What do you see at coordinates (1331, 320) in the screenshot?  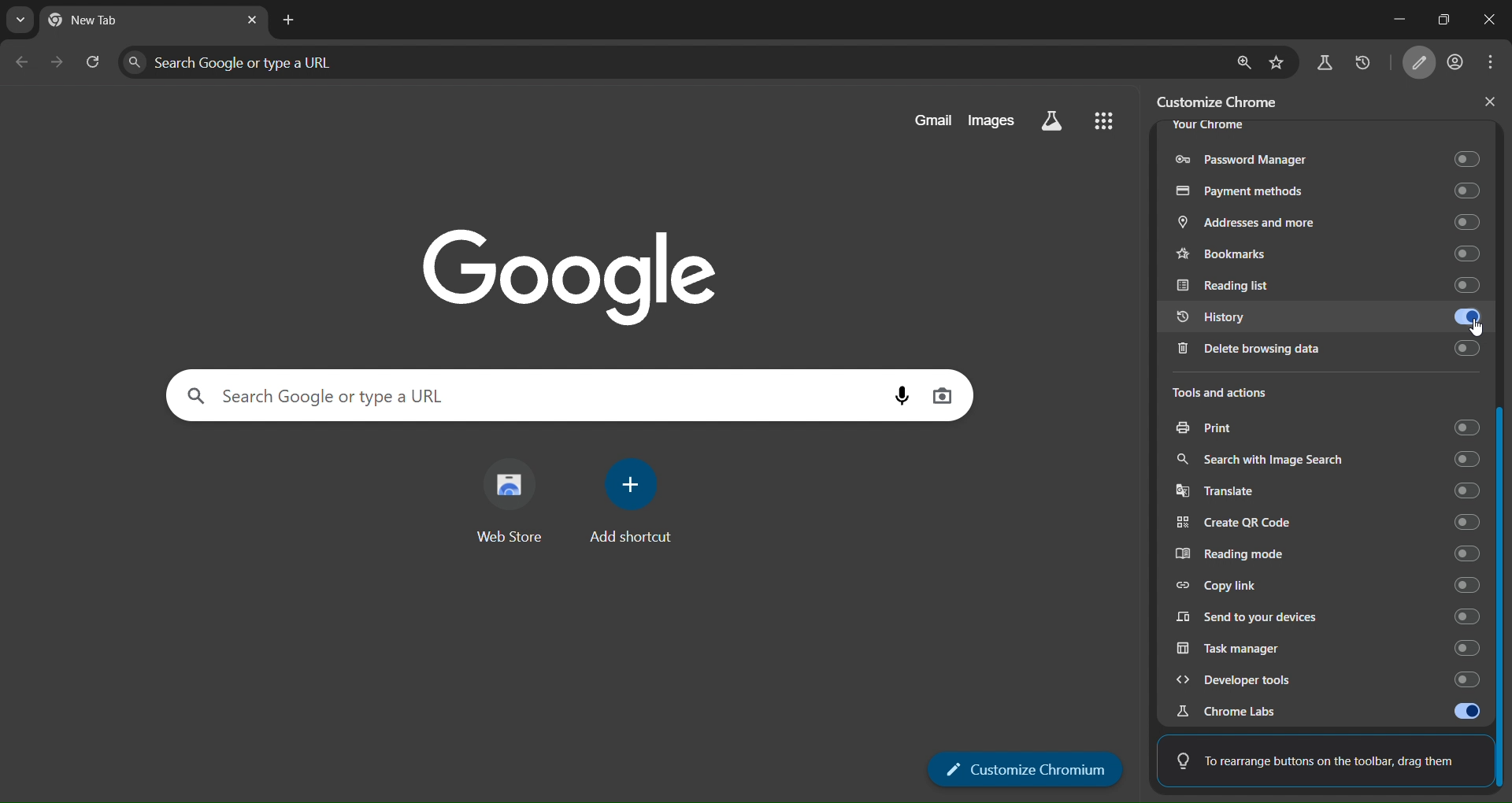 I see `history` at bounding box center [1331, 320].